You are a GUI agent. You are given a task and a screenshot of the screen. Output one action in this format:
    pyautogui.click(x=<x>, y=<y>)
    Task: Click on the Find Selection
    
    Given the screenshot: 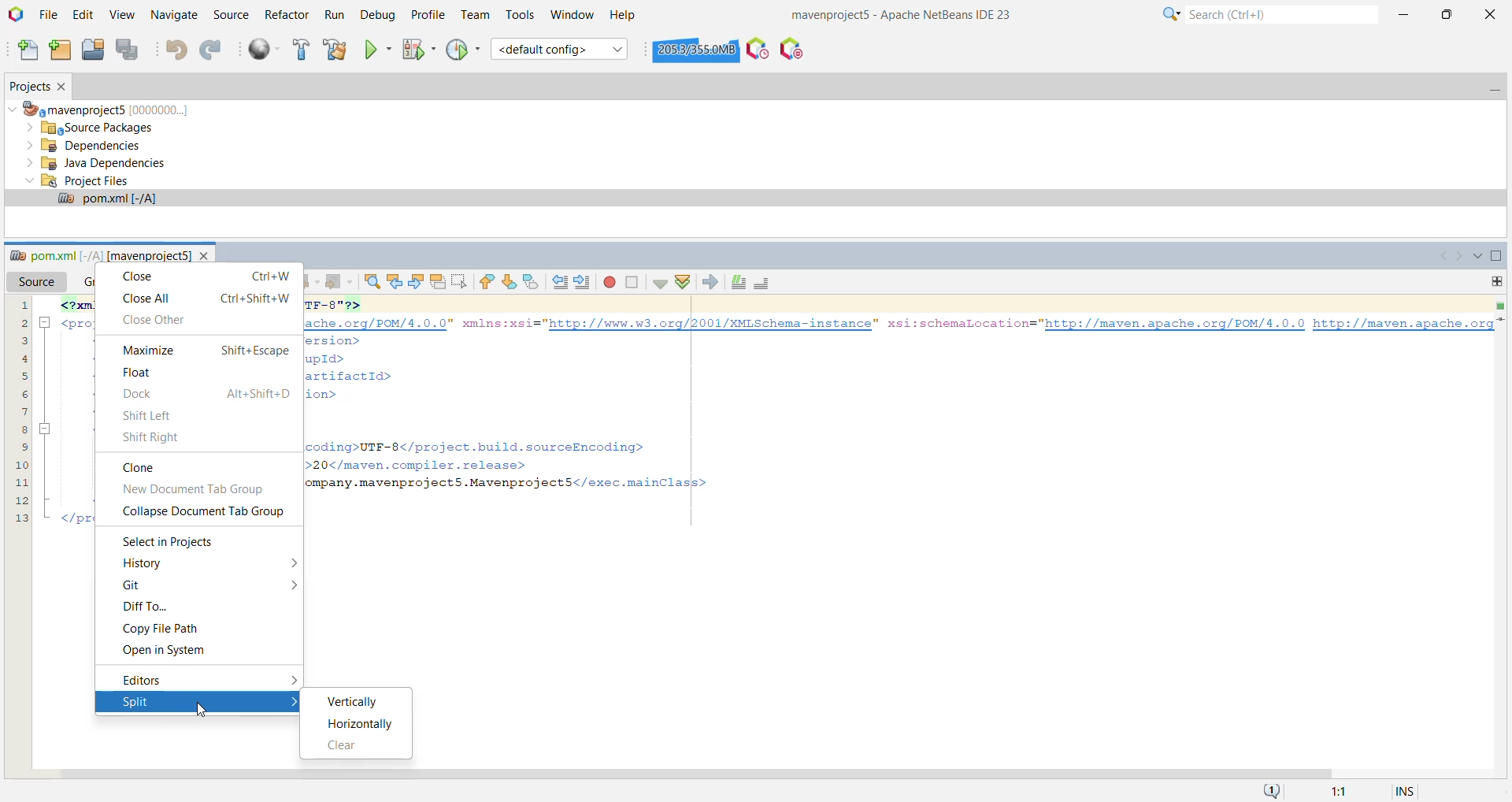 What is the action you would take?
    pyautogui.click(x=372, y=283)
    